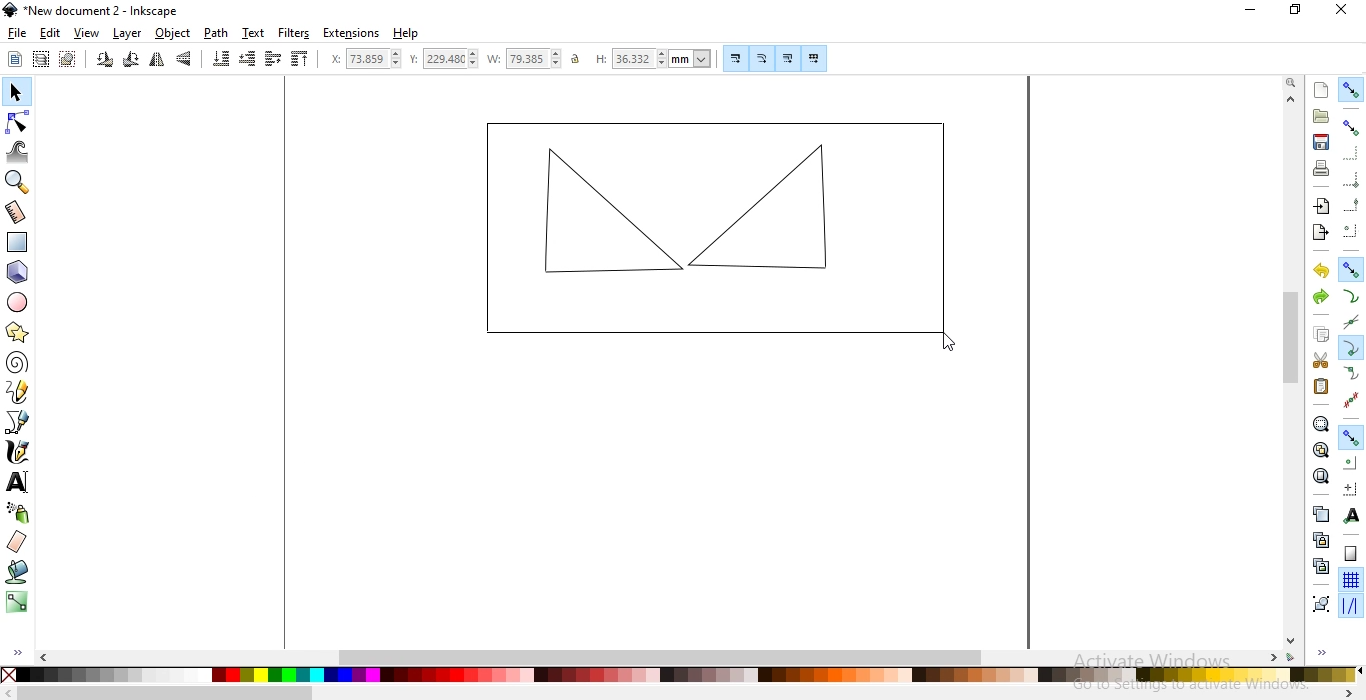 The image size is (1366, 700). What do you see at coordinates (1351, 229) in the screenshot?
I see `snapping centers of bounding boxes` at bounding box center [1351, 229].